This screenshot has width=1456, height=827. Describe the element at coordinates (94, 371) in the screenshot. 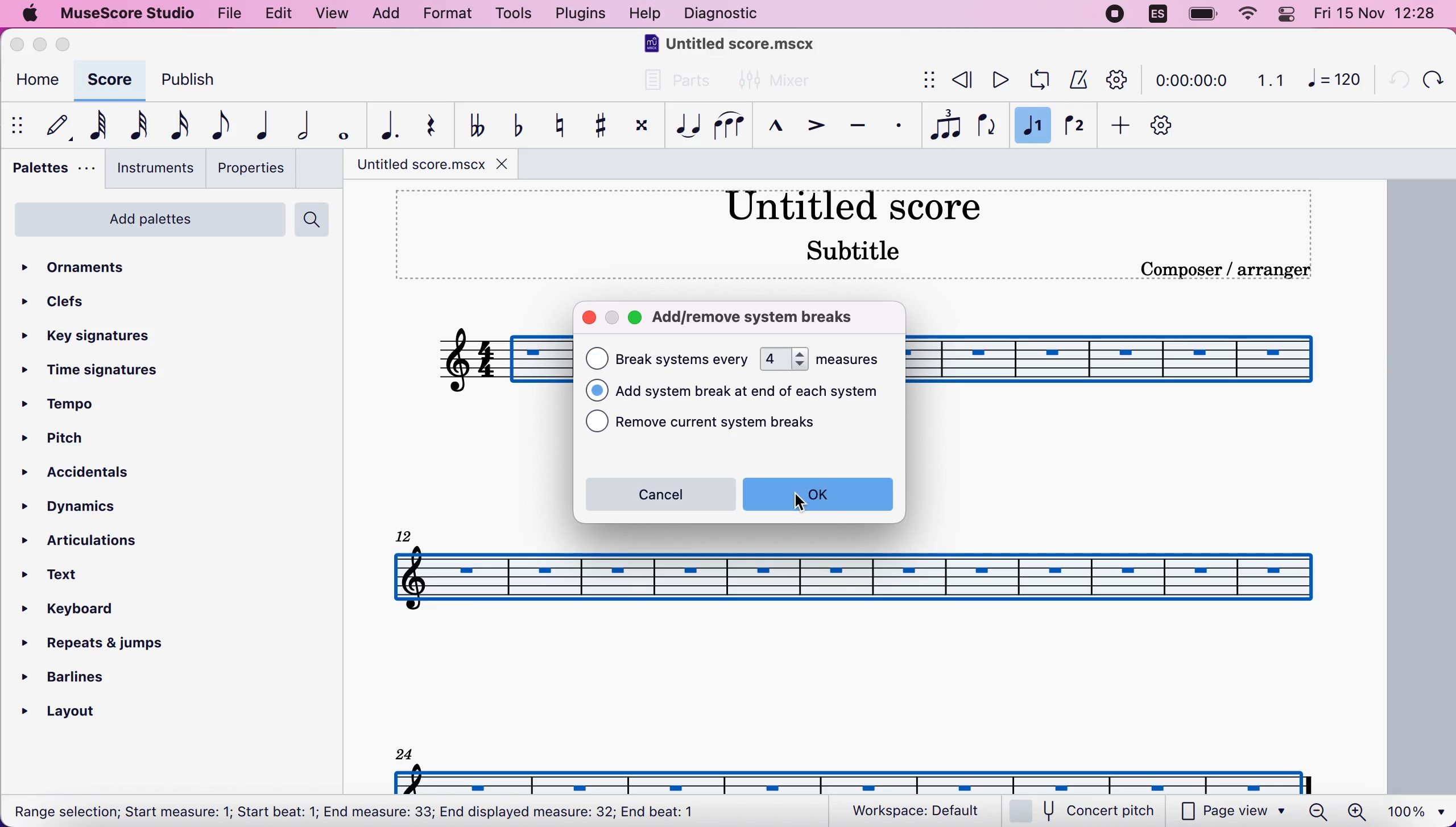

I see `time signatures` at that location.